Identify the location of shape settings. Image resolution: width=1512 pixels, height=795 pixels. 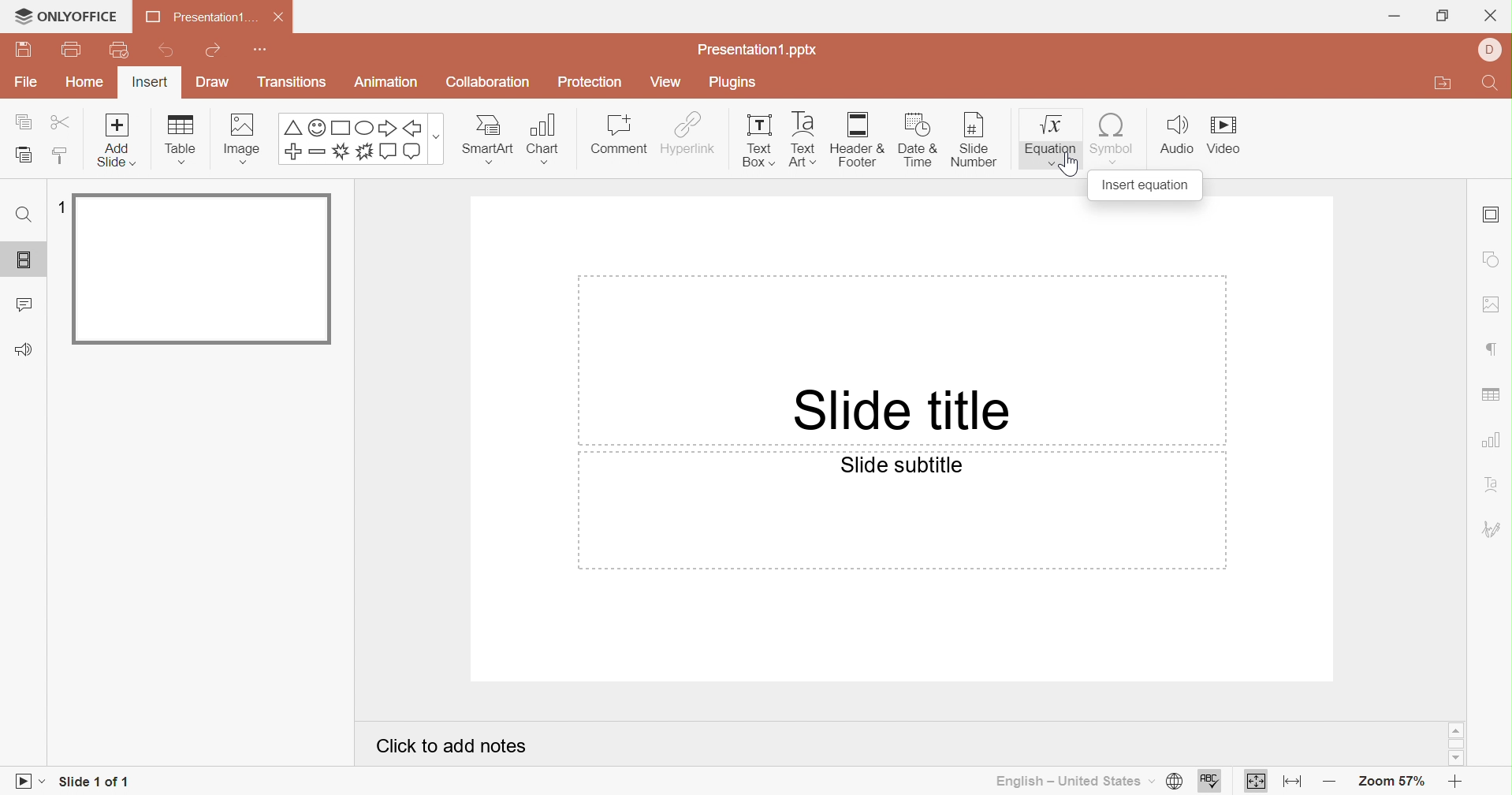
(1492, 259).